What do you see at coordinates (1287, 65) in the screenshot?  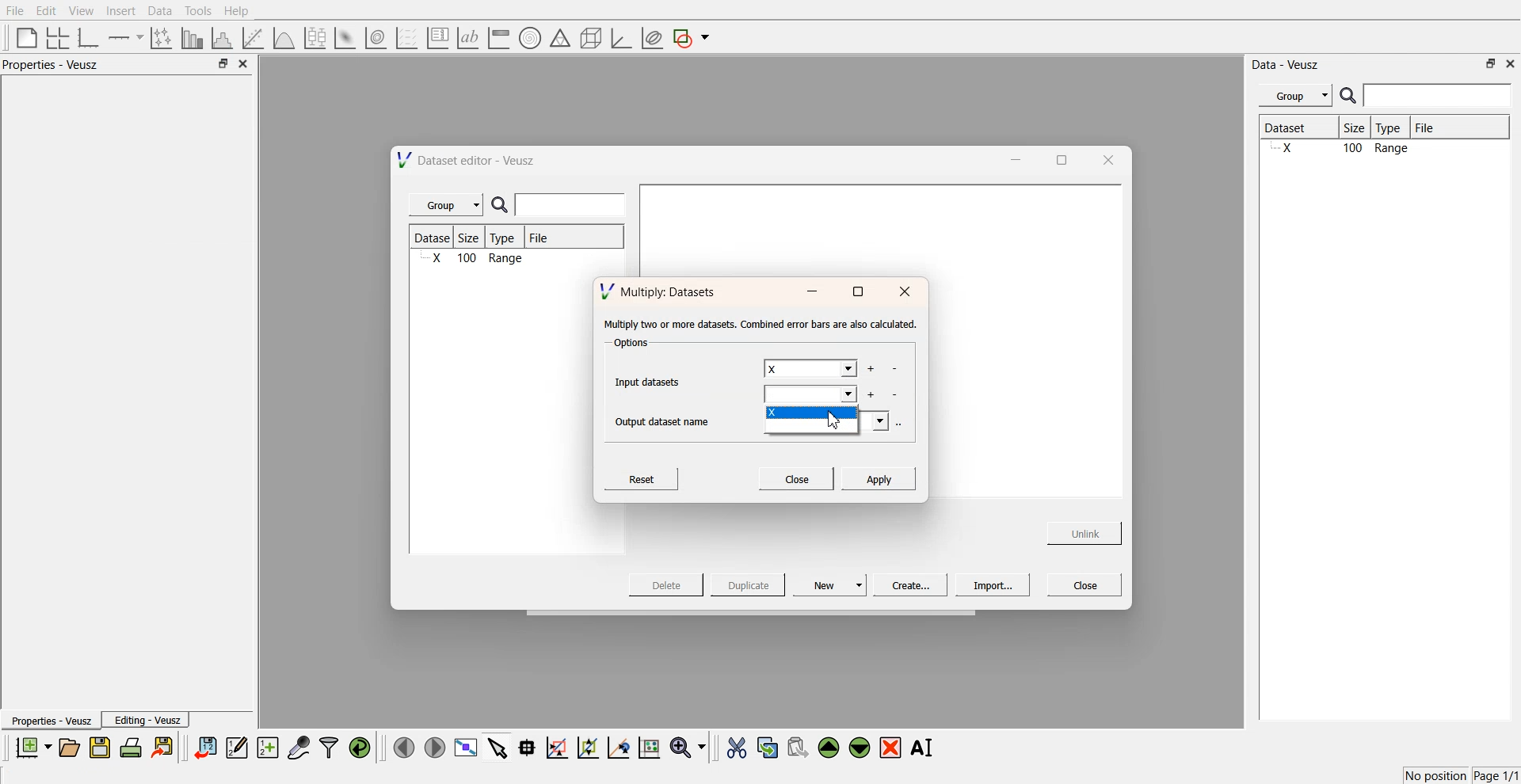 I see `Data - Veusz` at bounding box center [1287, 65].